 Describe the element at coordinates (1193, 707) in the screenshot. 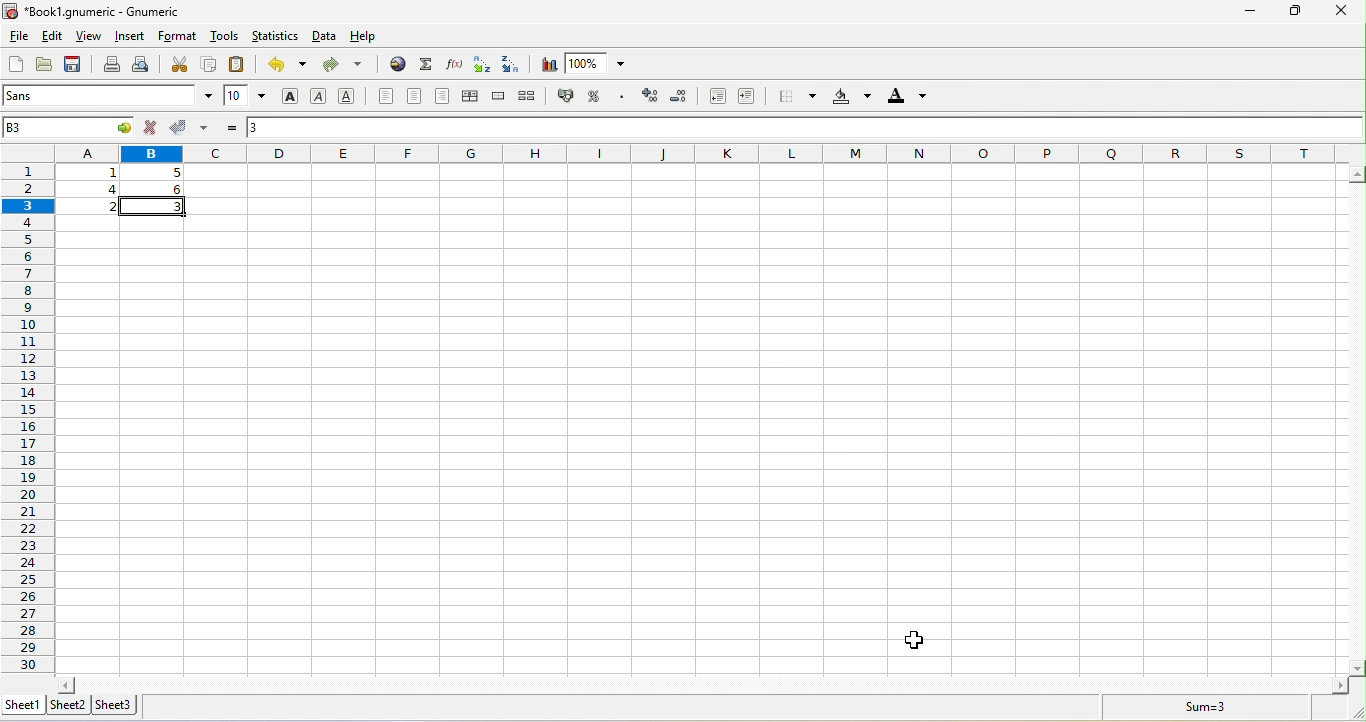

I see `sum =3` at that location.